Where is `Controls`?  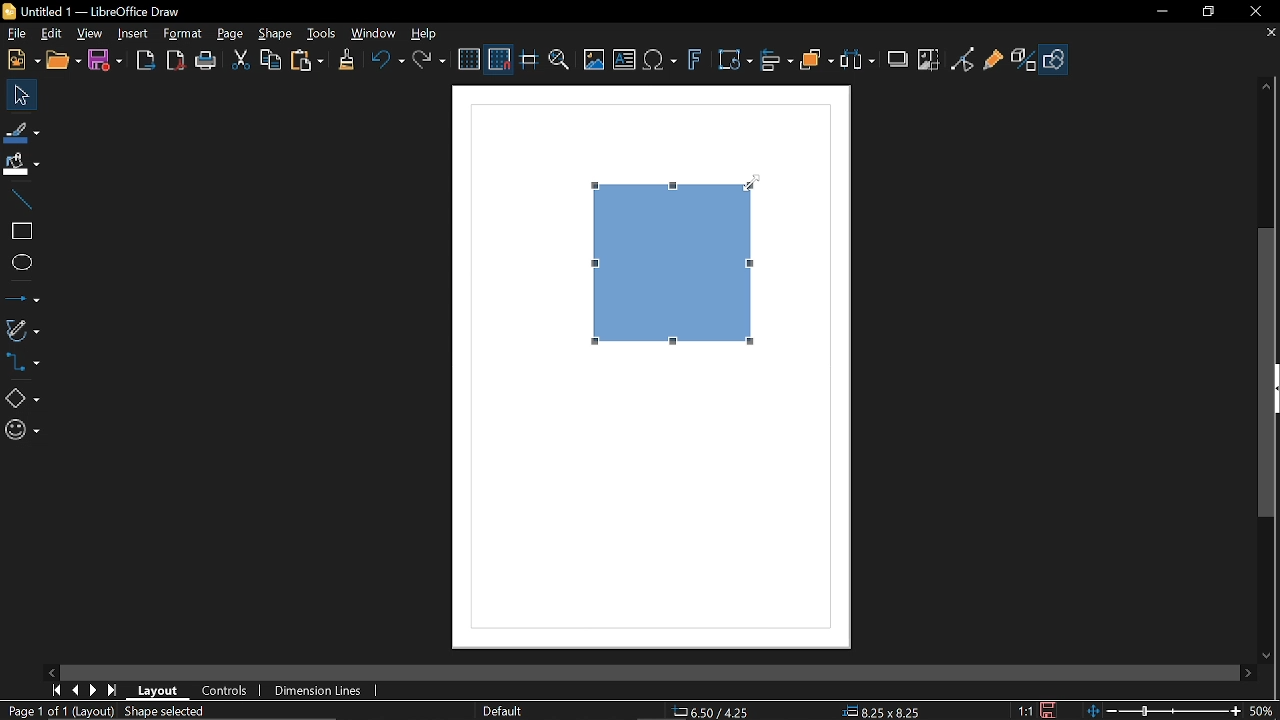 Controls is located at coordinates (223, 691).